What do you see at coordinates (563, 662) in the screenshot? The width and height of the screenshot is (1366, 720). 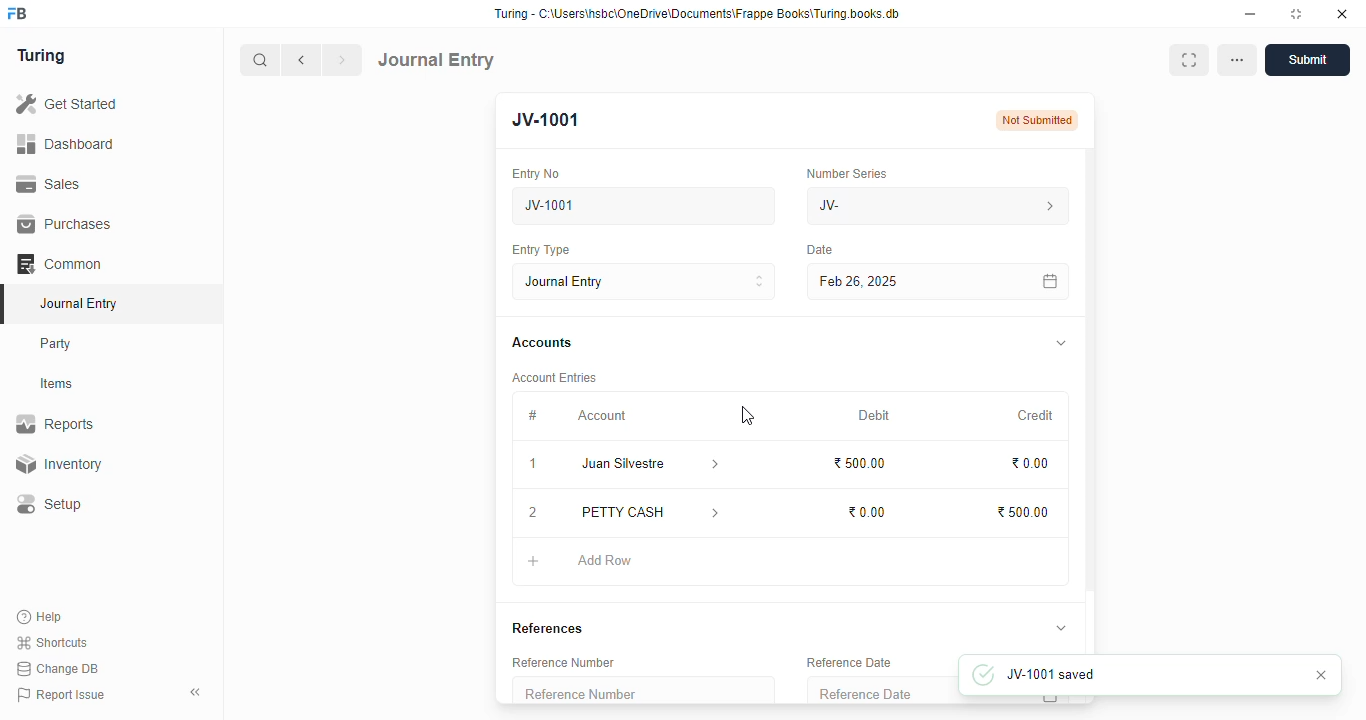 I see `reference number` at bounding box center [563, 662].